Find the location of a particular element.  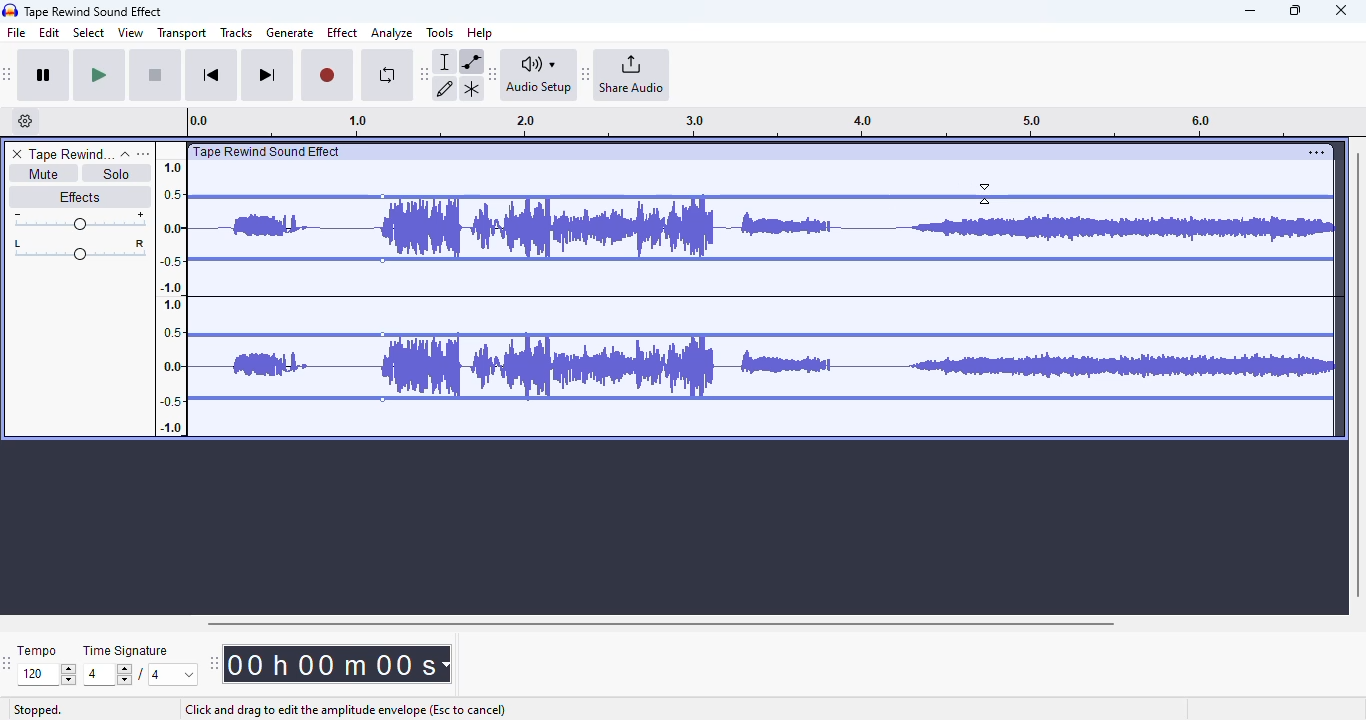

play is located at coordinates (99, 76).